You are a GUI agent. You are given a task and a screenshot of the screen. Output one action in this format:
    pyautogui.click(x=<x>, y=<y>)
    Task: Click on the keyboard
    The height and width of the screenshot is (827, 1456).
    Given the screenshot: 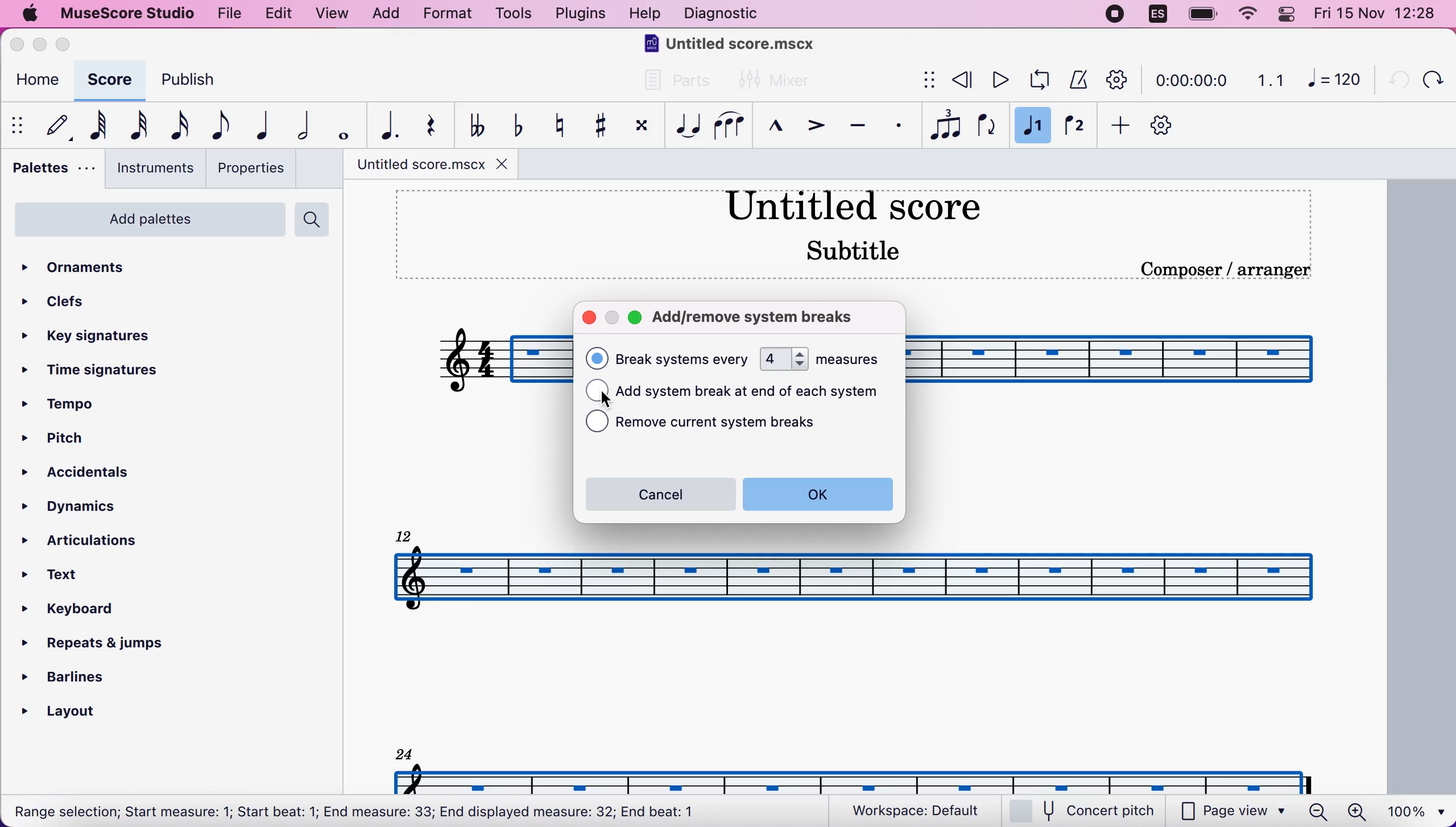 What is the action you would take?
    pyautogui.click(x=82, y=611)
    